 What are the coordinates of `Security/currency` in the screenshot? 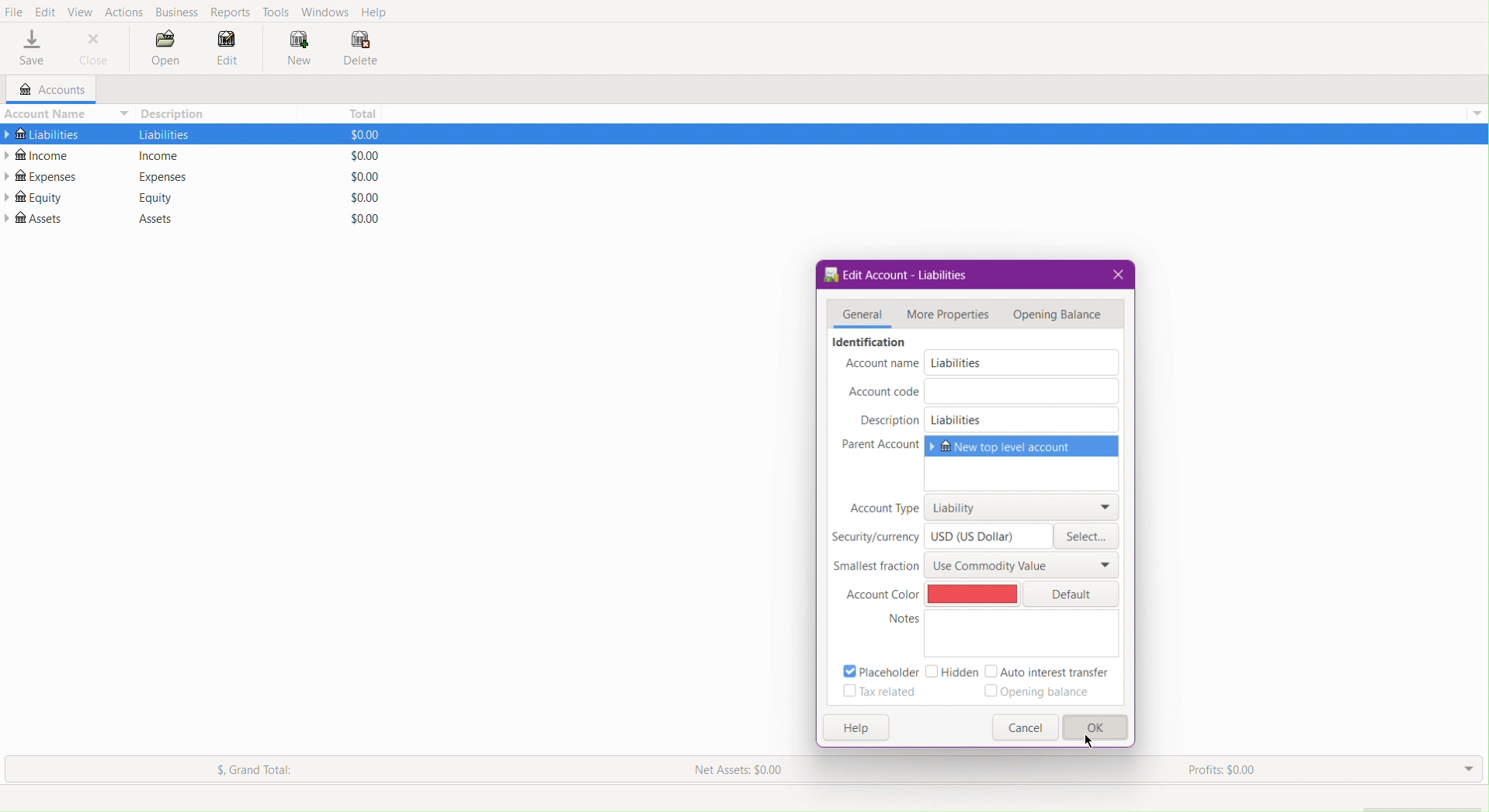 It's located at (875, 536).